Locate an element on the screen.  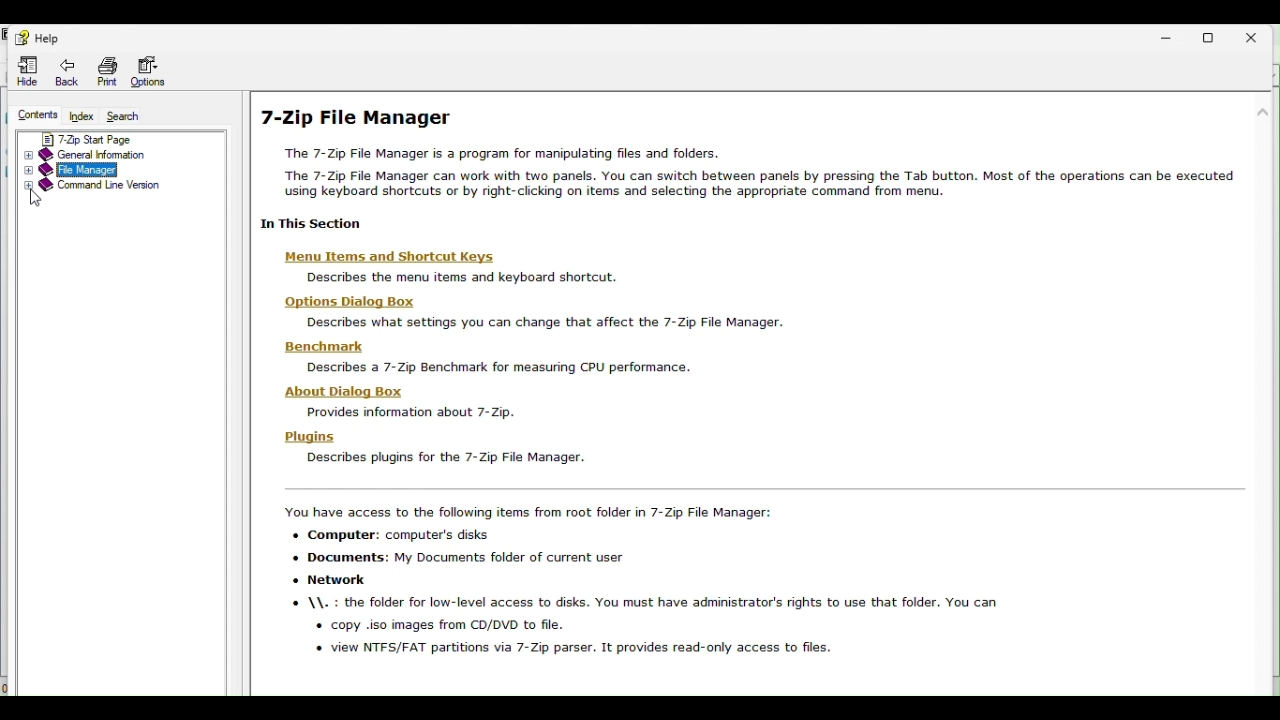
Hide is located at coordinates (19, 71).